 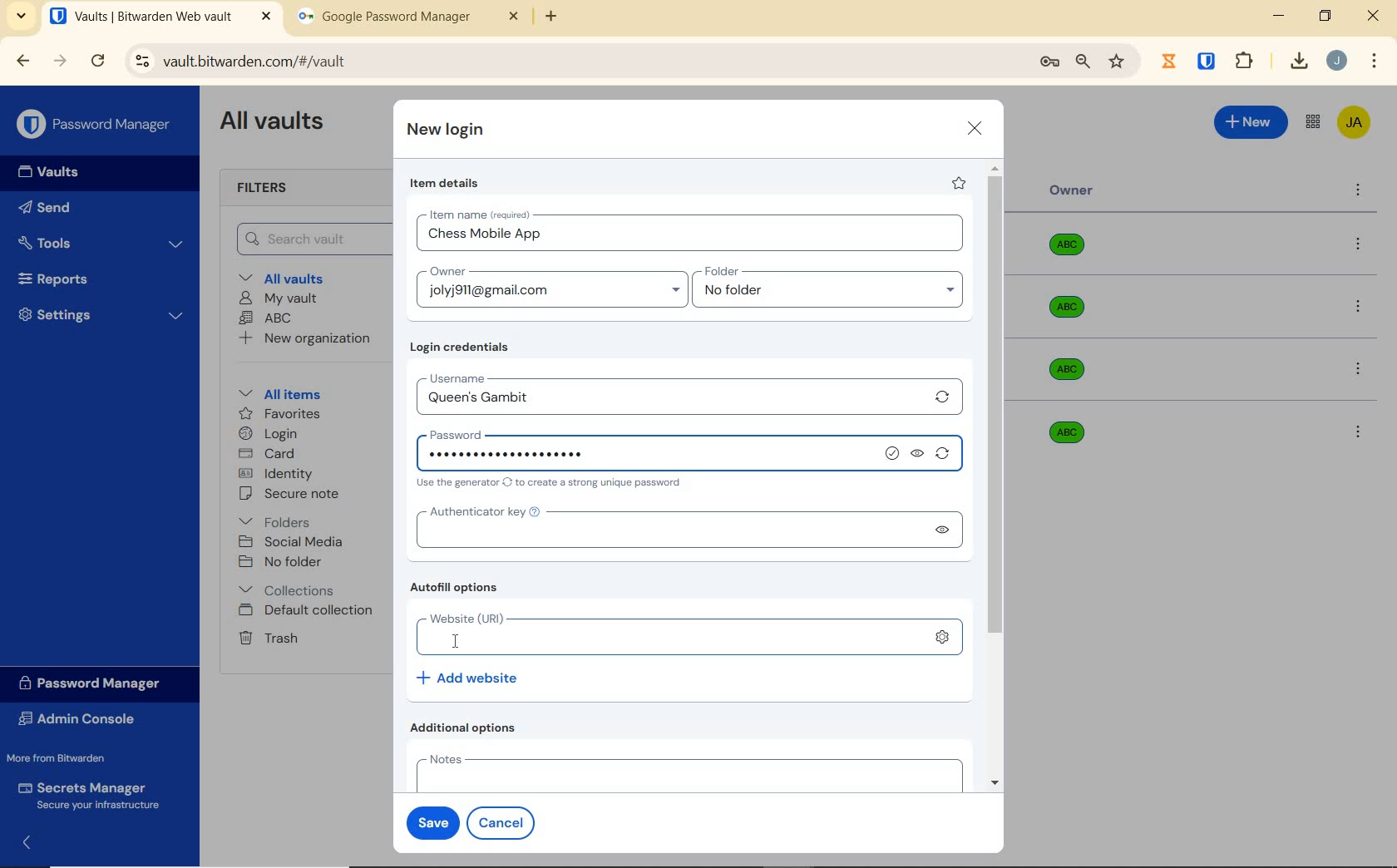 I want to click on more option, so click(x=1359, y=191).